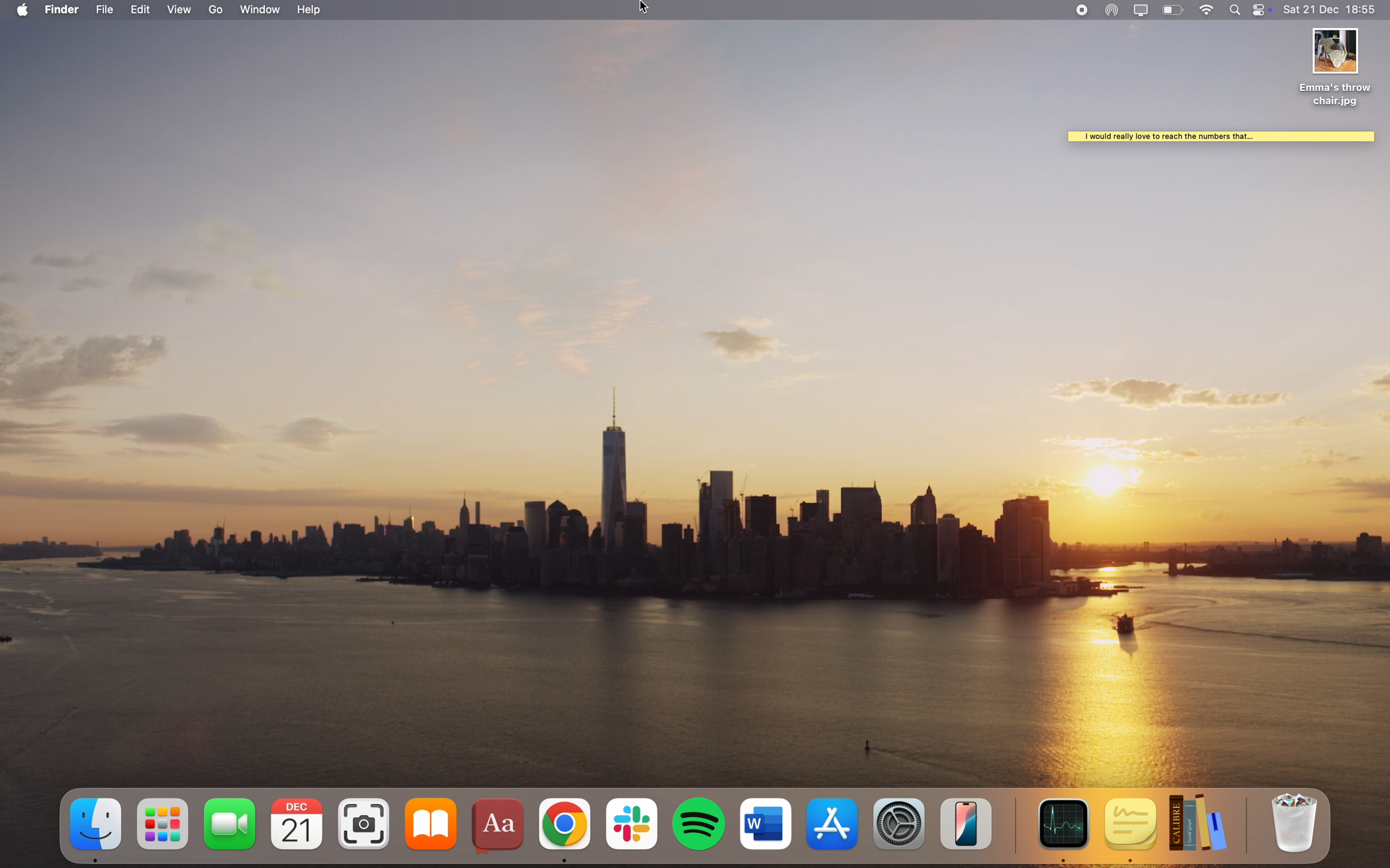  What do you see at coordinates (634, 829) in the screenshot?
I see `Slack` at bounding box center [634, 829].